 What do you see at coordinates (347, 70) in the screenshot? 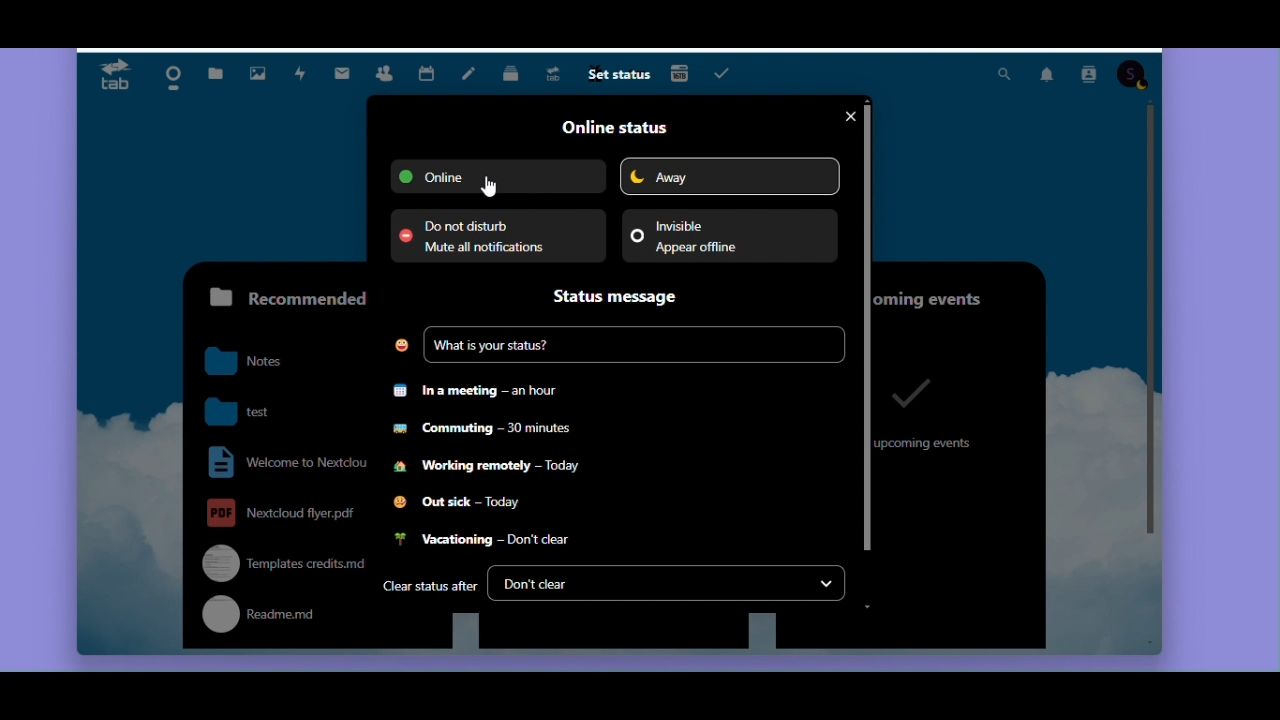
I see `Mail ` at bounding box center [347, 70].